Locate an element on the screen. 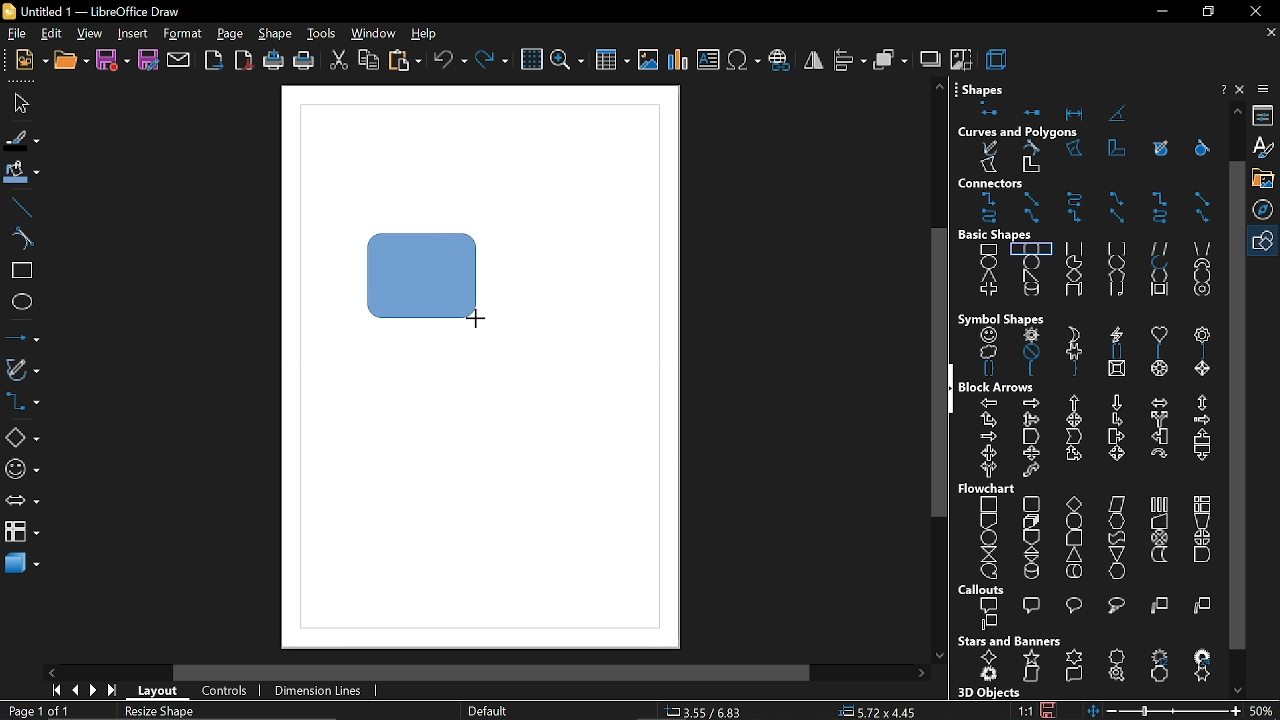 This screenshot has width=1280, height=720. scroll up is located at coordinates (939, 86).